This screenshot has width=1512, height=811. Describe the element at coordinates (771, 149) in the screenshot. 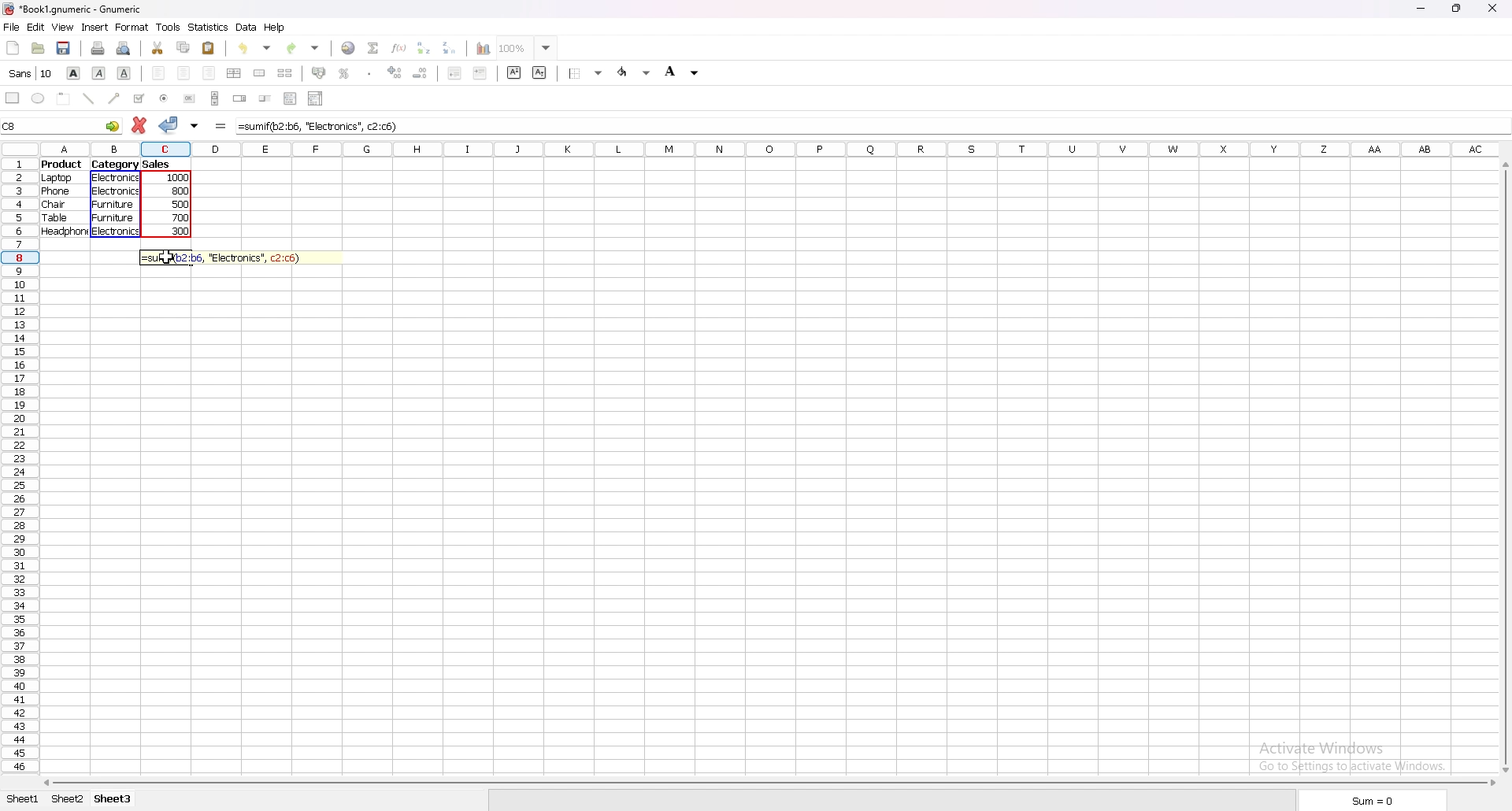

I see `column` at that location.